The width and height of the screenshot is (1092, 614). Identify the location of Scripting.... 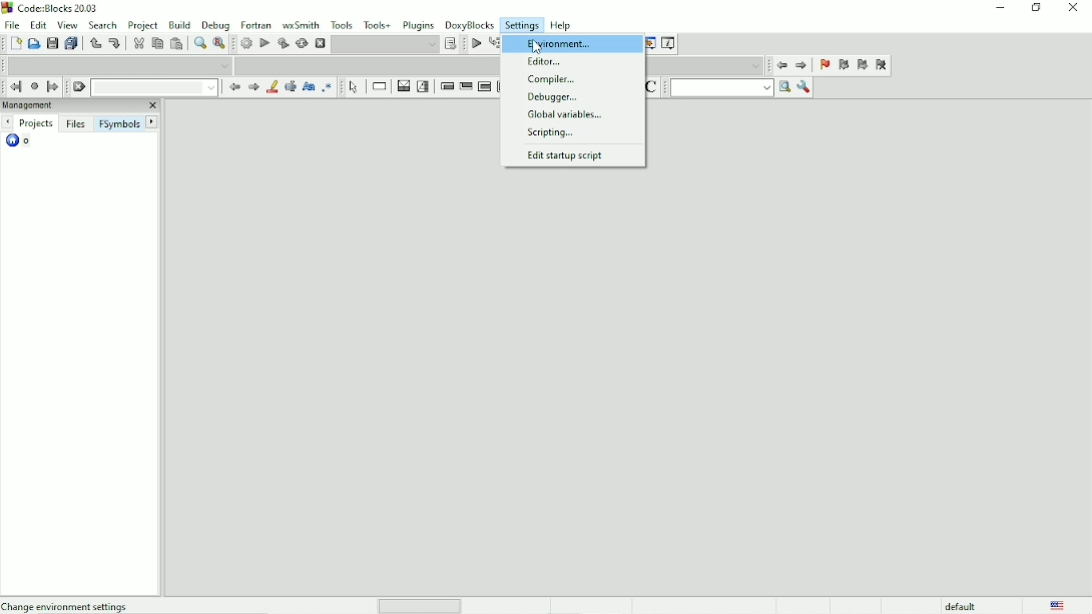
(552, 134).